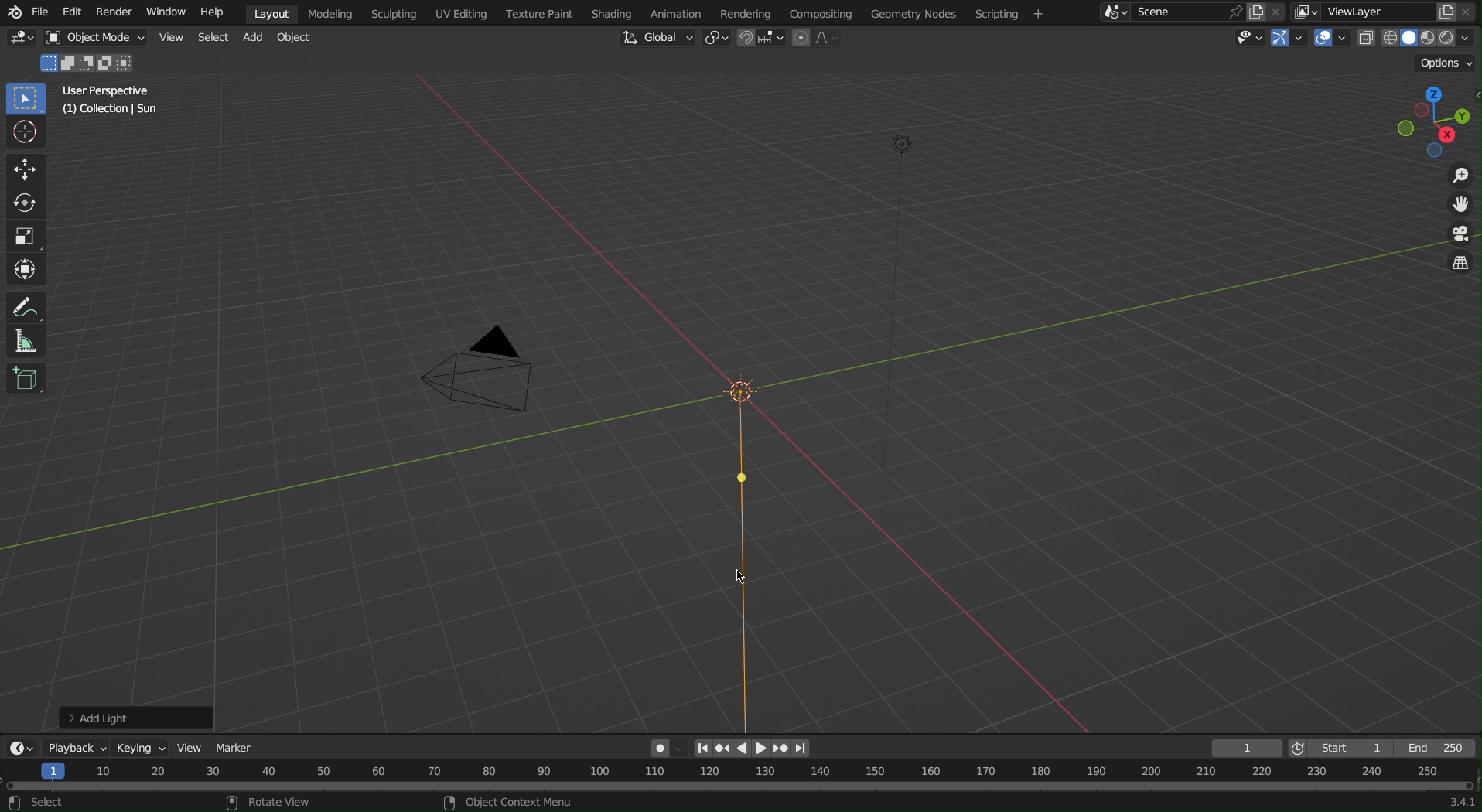  Describe the element at coordinates (111, 12) in the screenshot. I see `Render` at that location.